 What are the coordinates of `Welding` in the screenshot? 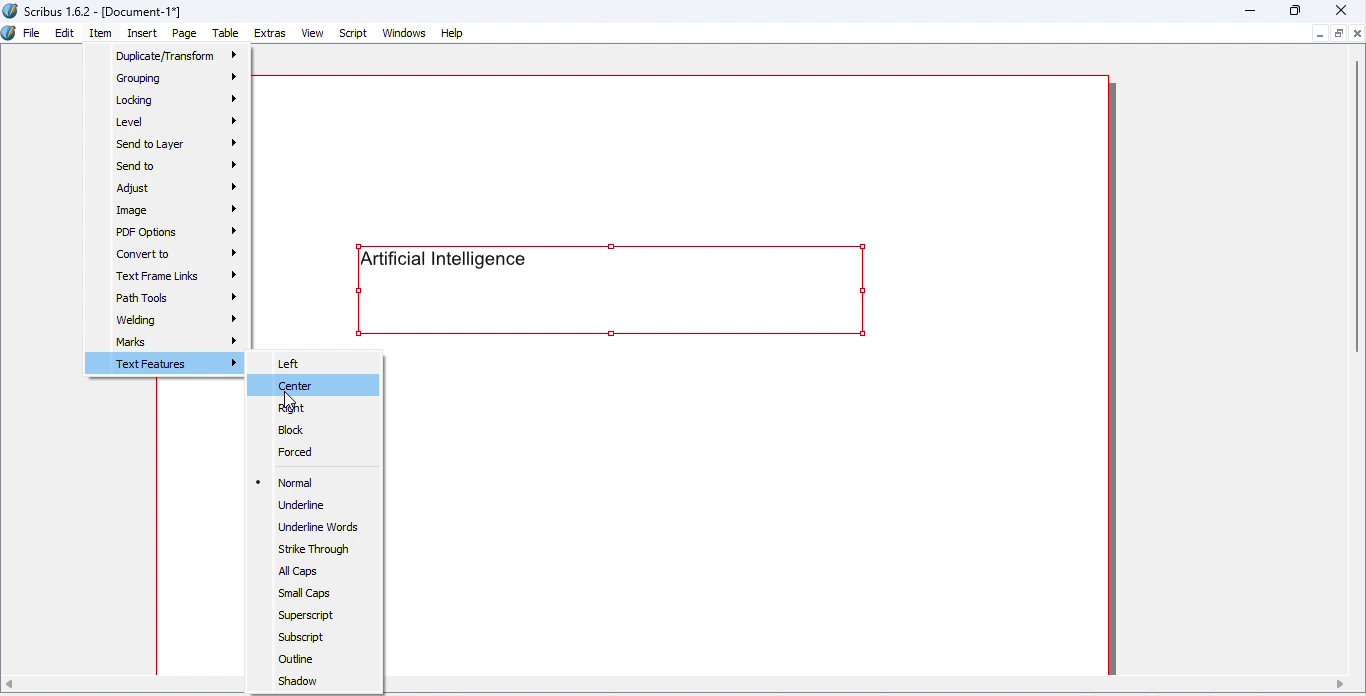 It's located at (181, 320).